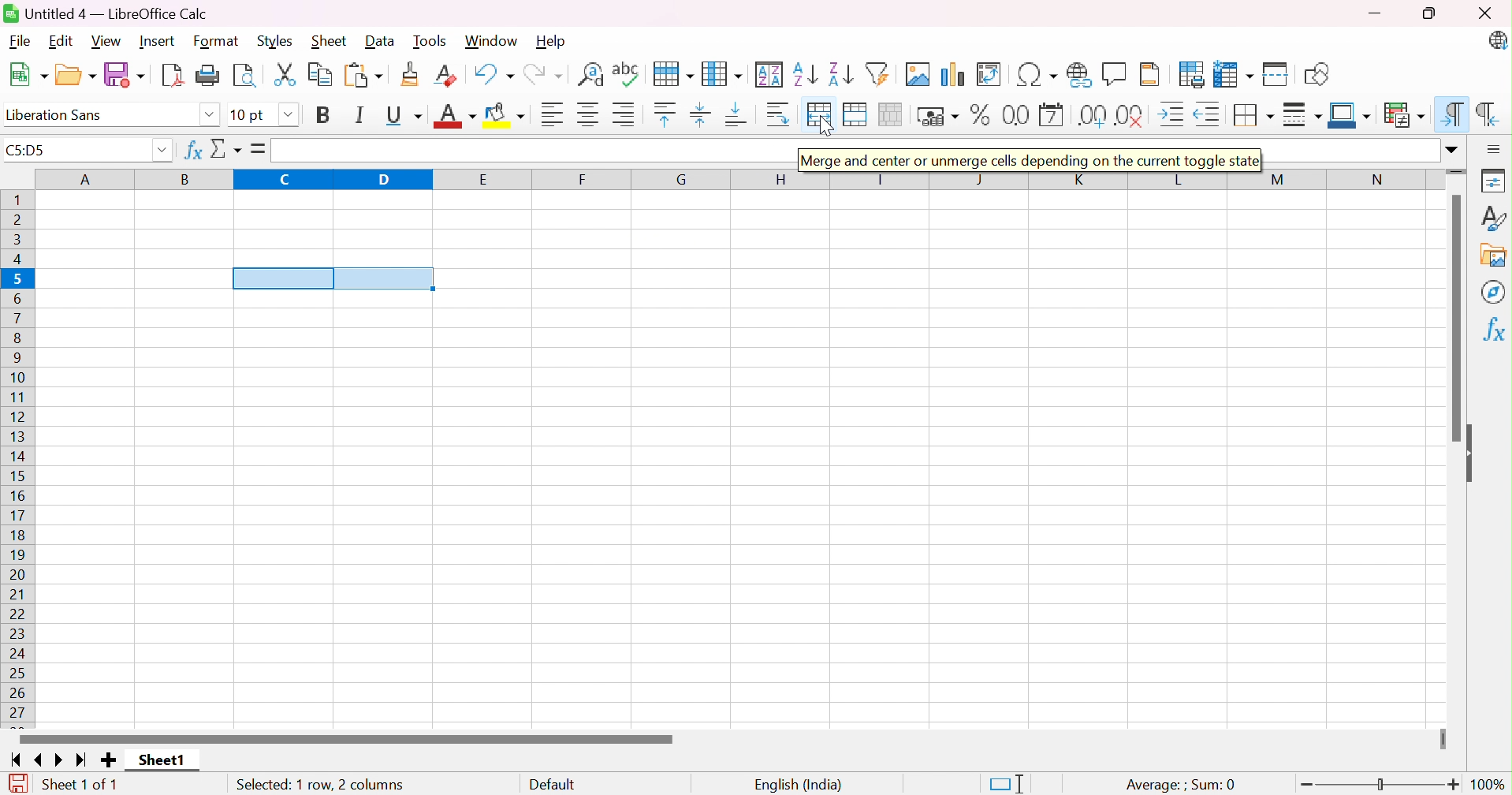 This screenshot has width=1512, height=795. I want to click on Zoom Out, so click(1309, 785).